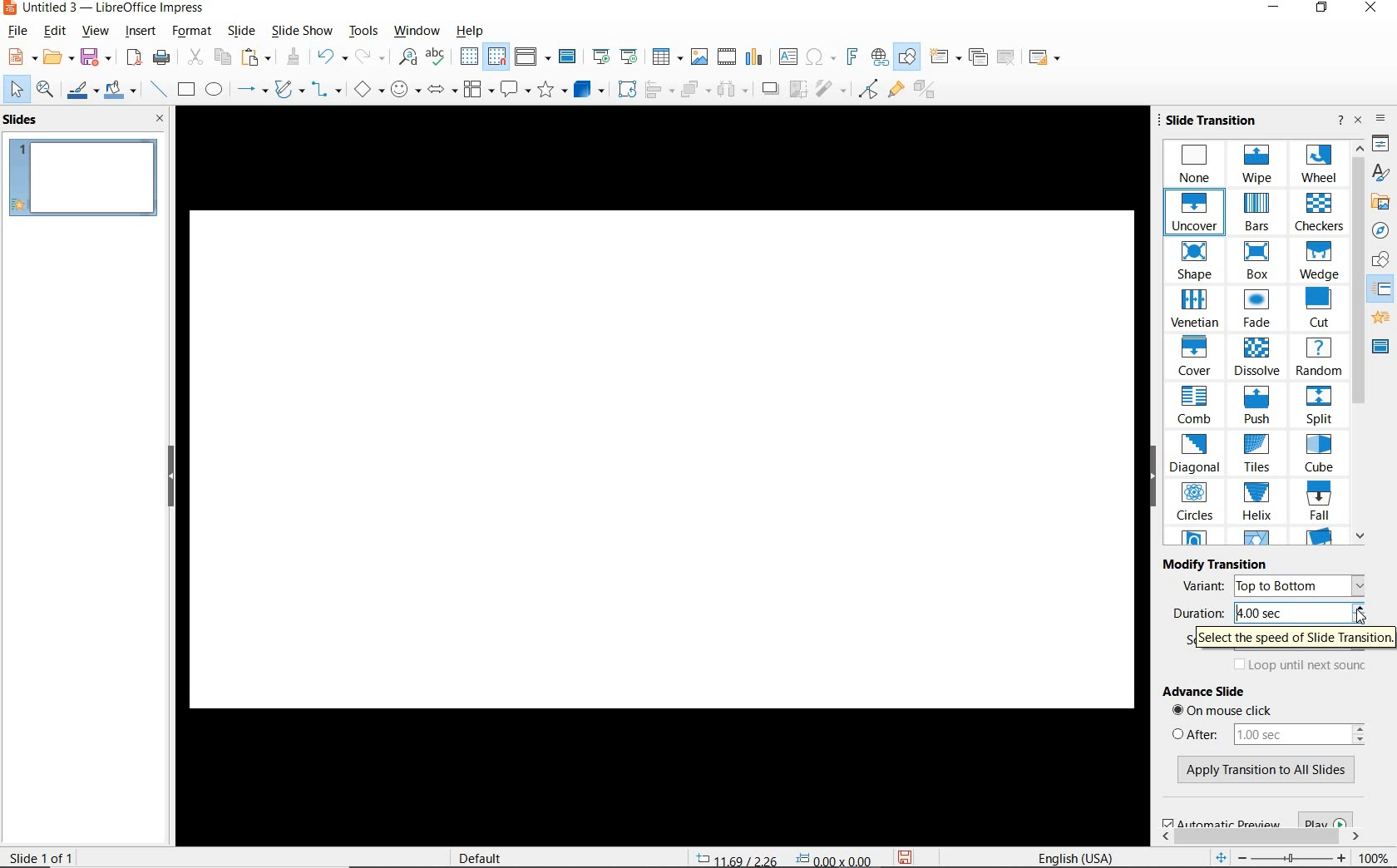 This screenshot has height=868, width=1397. What do you see at coordinates (477, 91) in the screenshot?
I see `FLOWCHART` at bounding box center [477, 91].